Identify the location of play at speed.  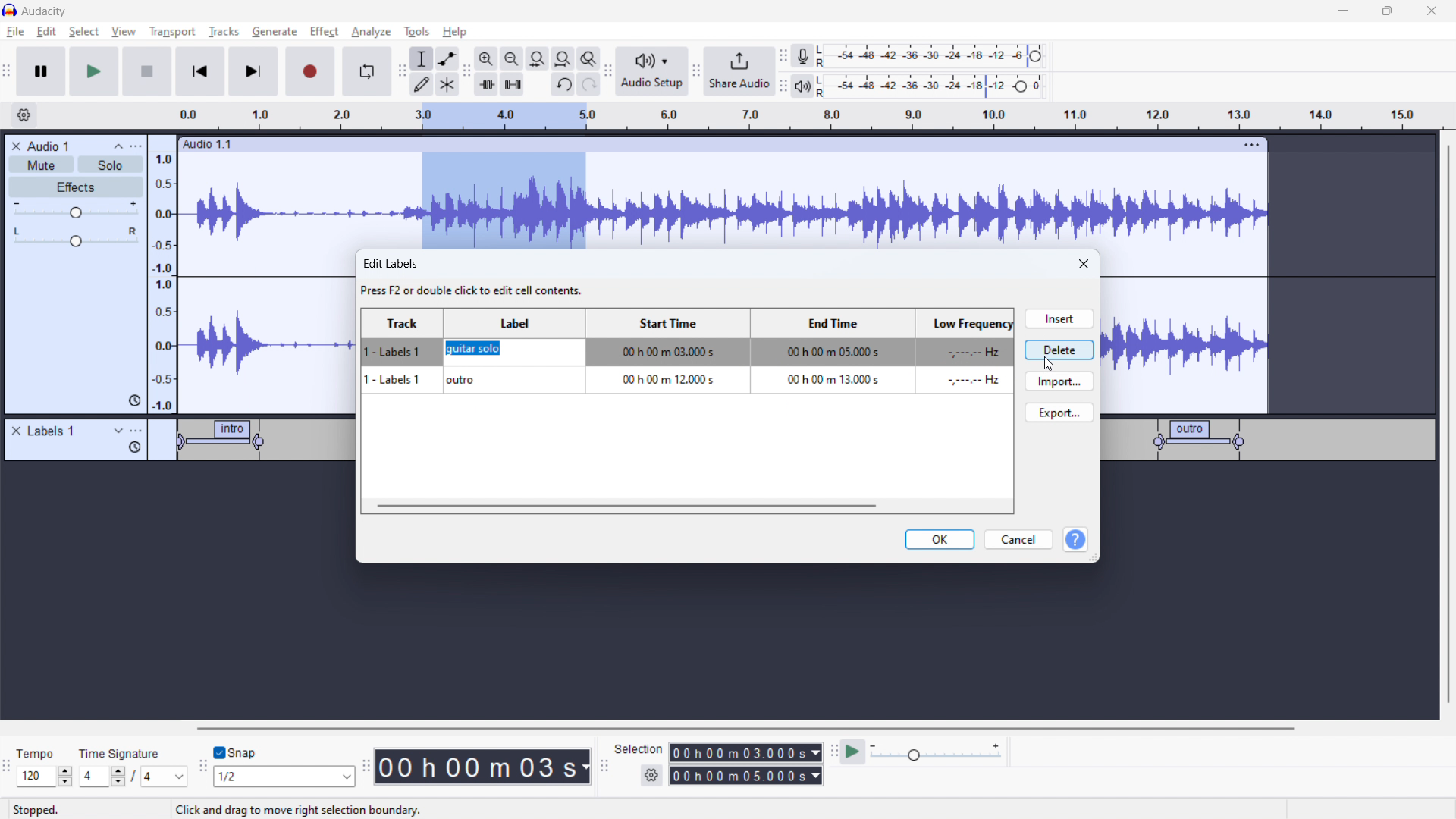
(852, 751).